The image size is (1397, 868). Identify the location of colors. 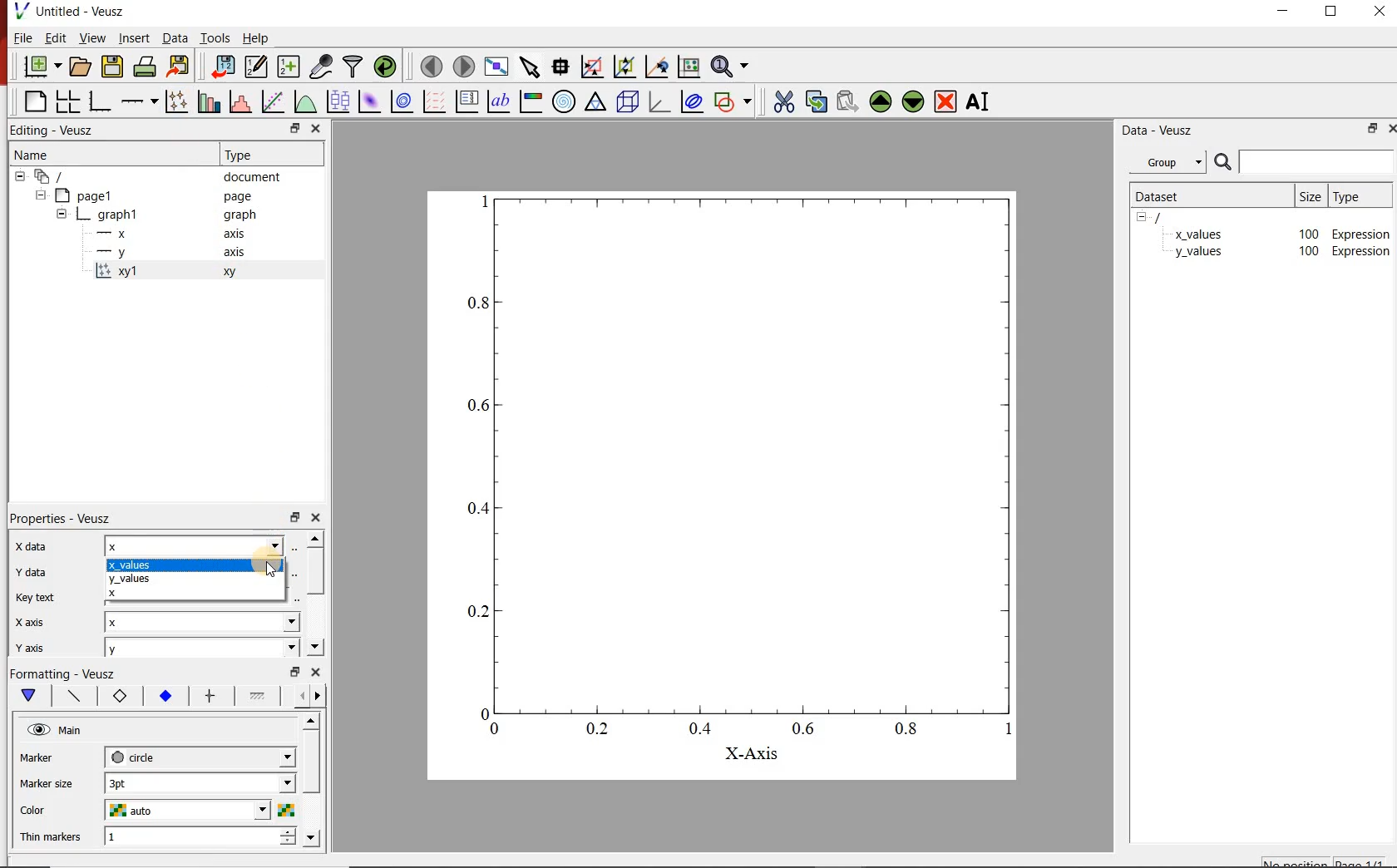
(285, 810).